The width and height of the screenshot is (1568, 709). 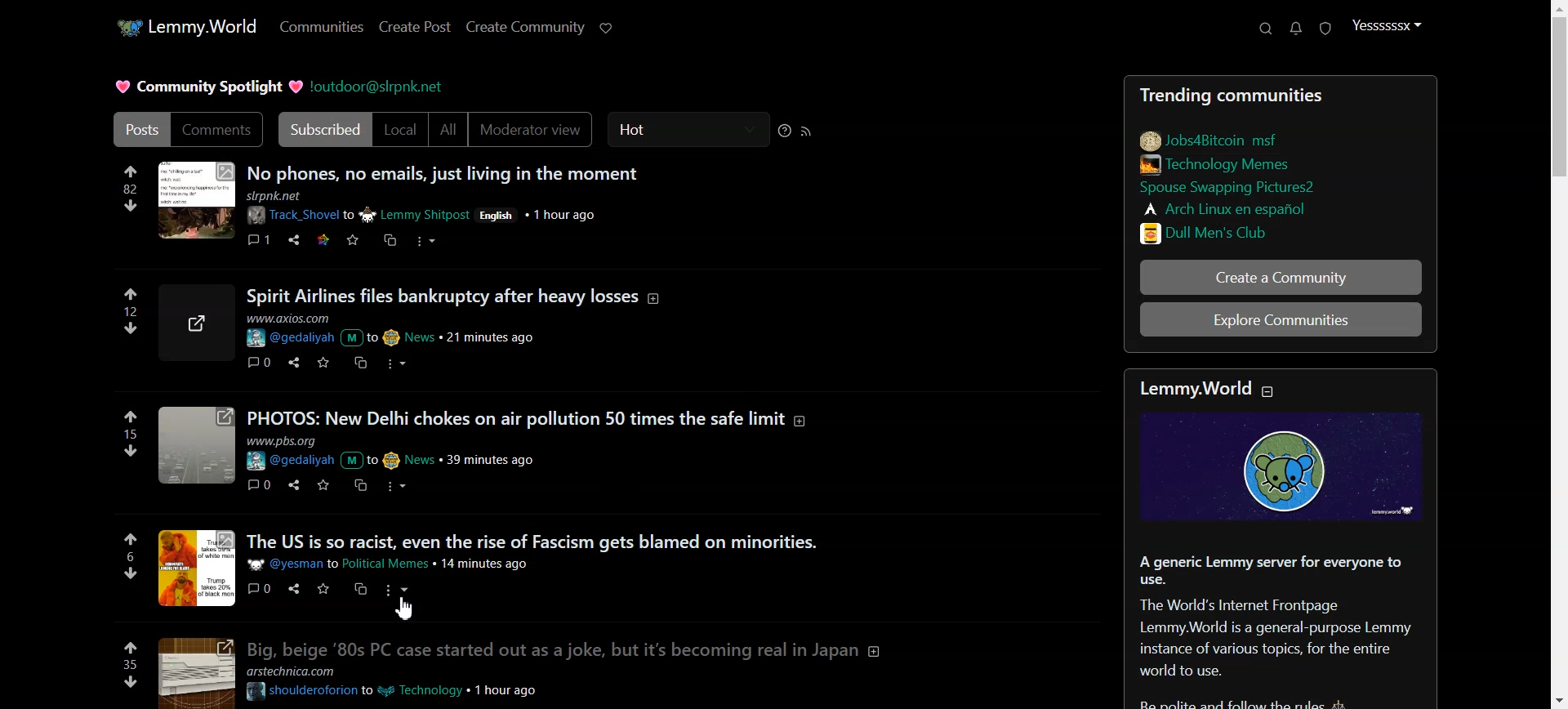 What do you see at coordinates (198, 568) in the screenshot?
I see `post picture` at bounding box center [198, 568].